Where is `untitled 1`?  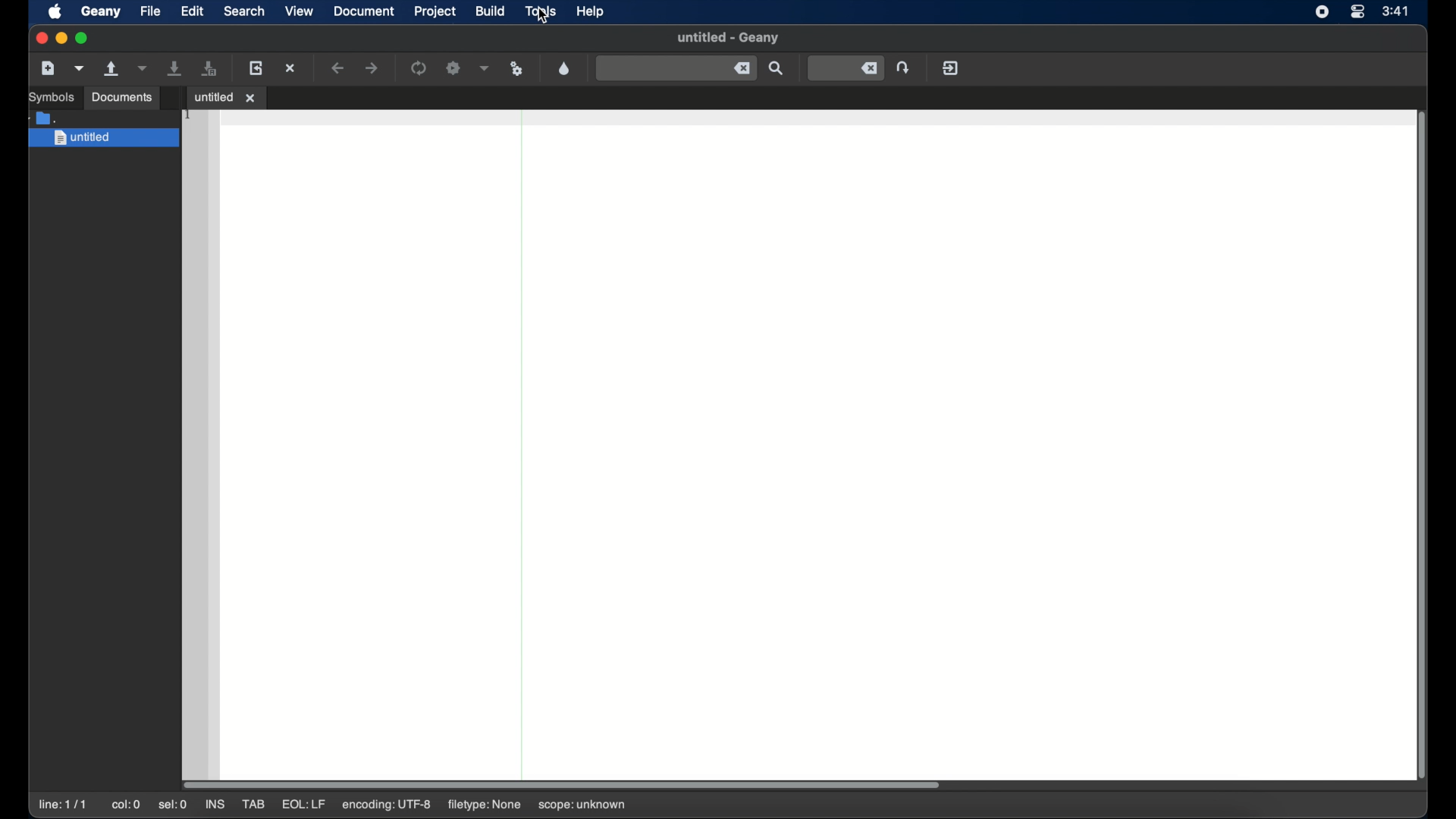
untitled 1 is located at coordinates (226, 96).